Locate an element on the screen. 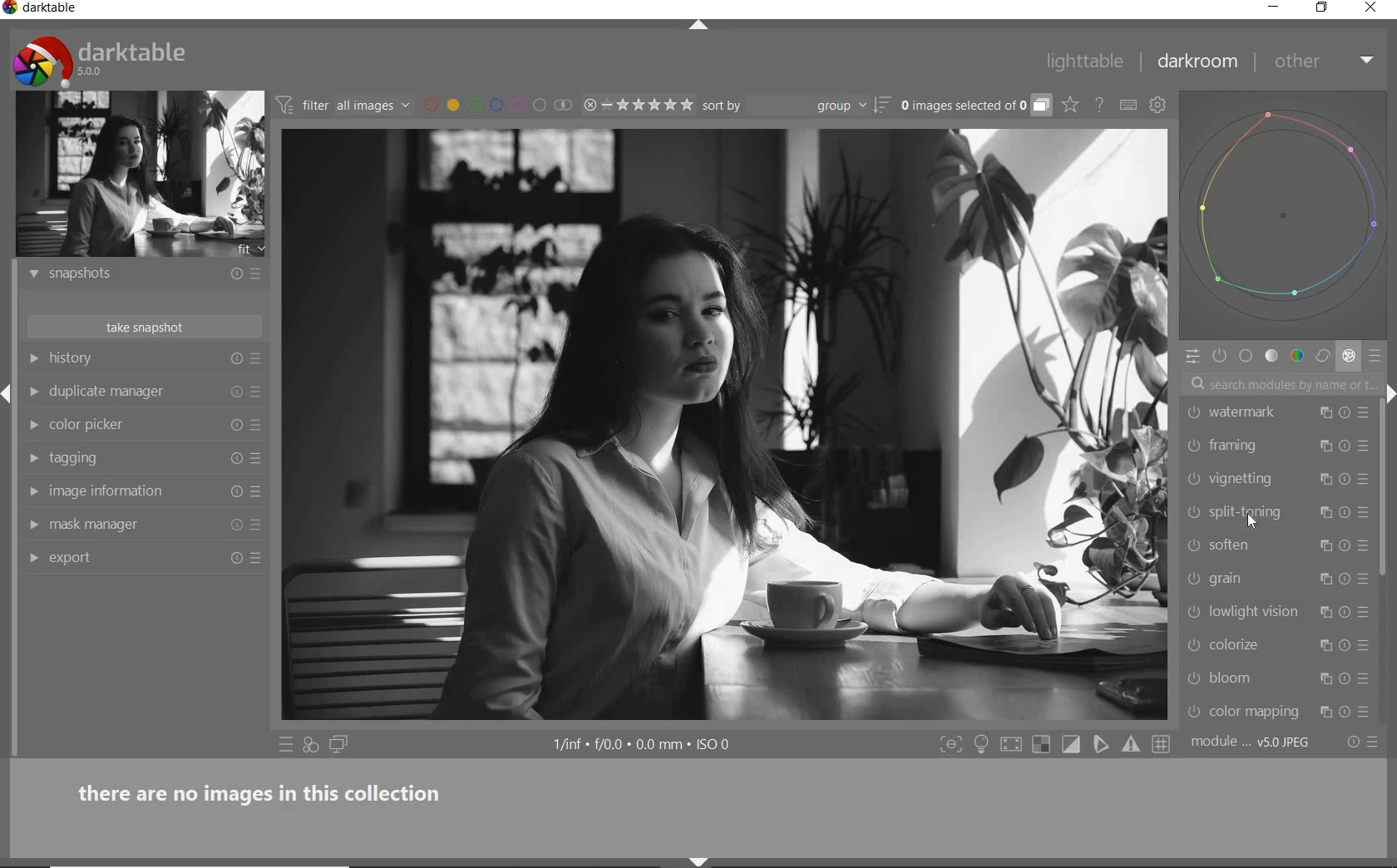 This screenshot has height=868, width=1397. scrollbar is located at coordinates (1385, 491).